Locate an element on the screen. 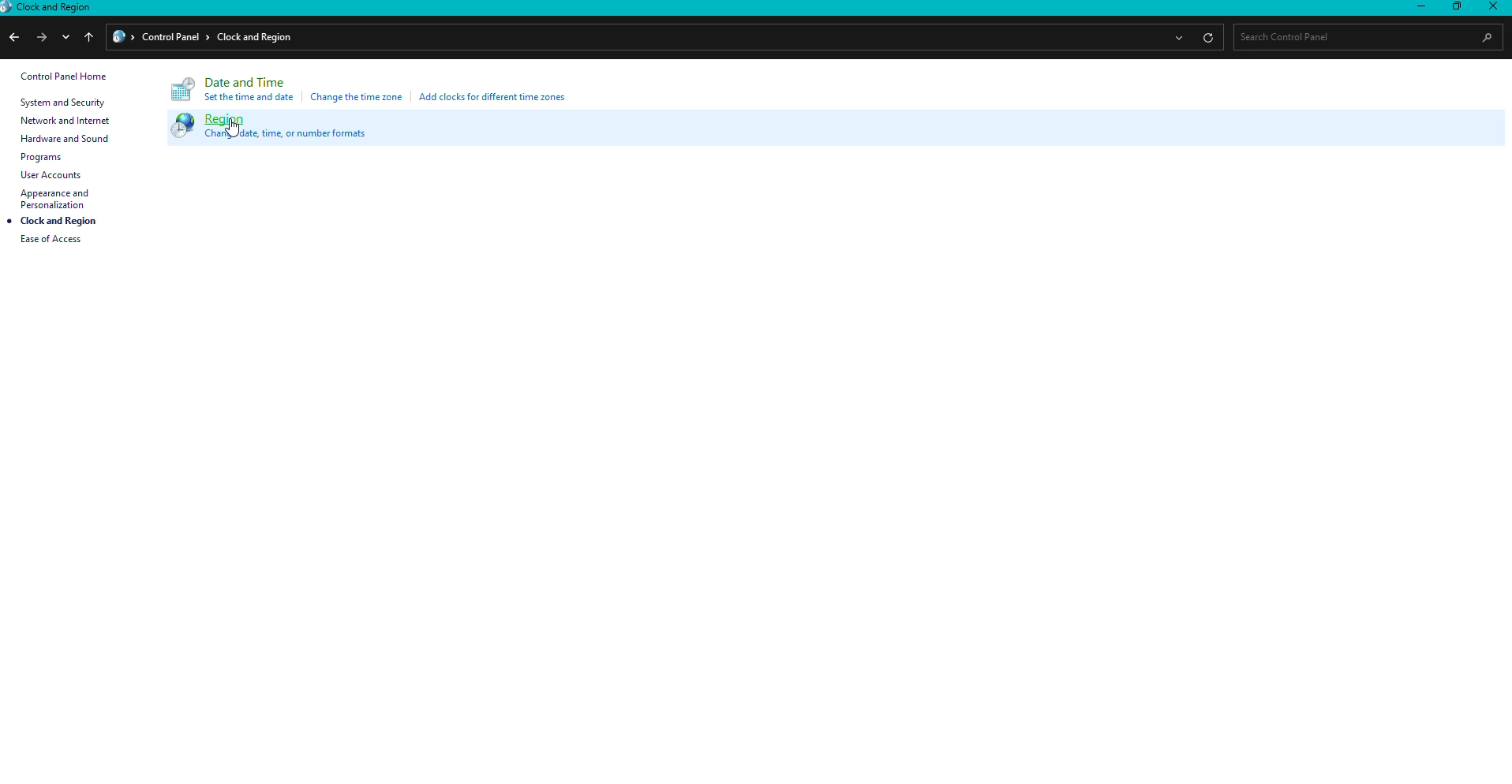 The height and width of the screenshot is (784, 1512). Search bar is located at coordinates (1362, 36).